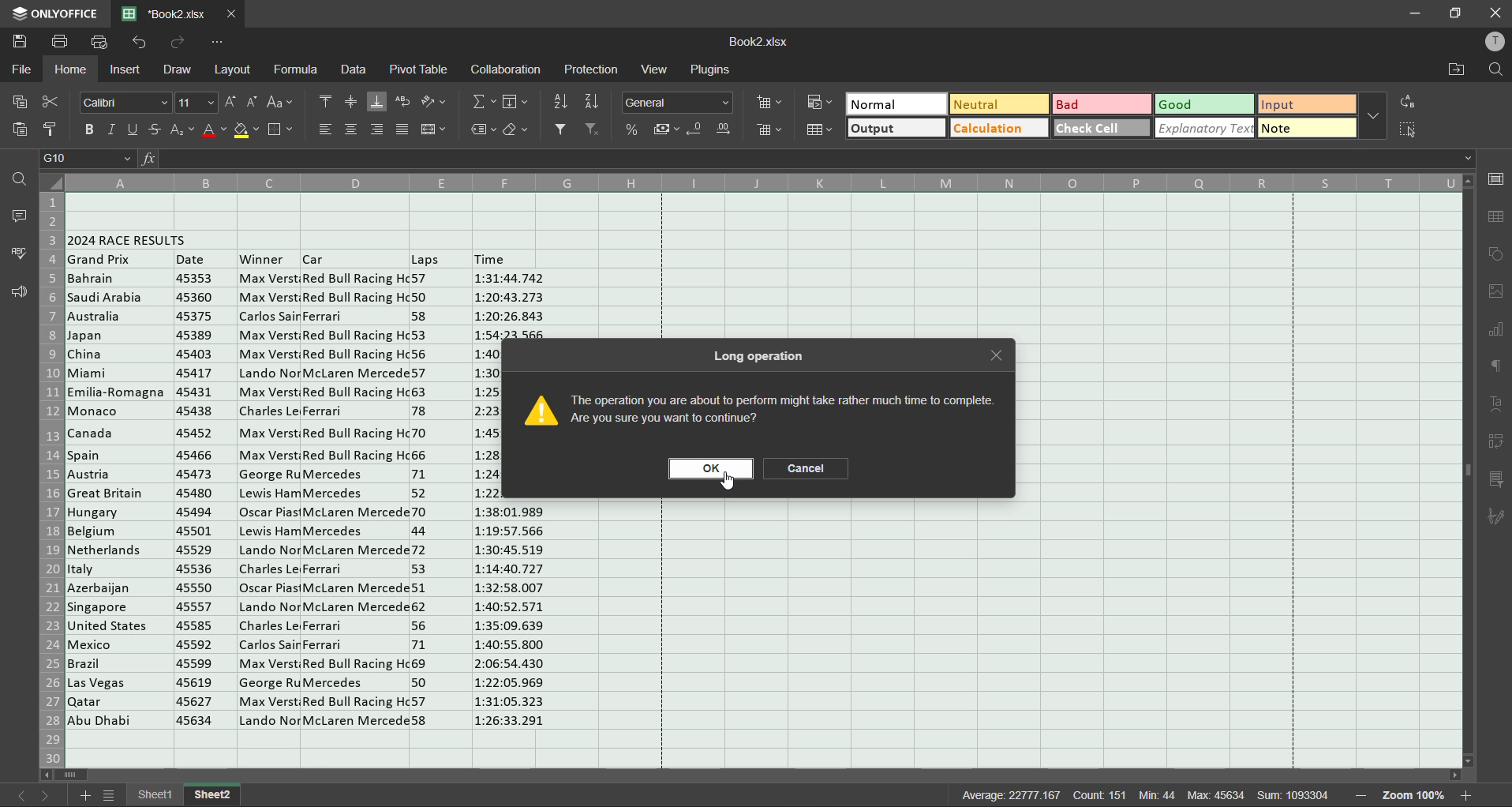  What do you see at coordinates (1415, 14) in the screenshot?
I see `minimize` at bounding box center [1415, 14].